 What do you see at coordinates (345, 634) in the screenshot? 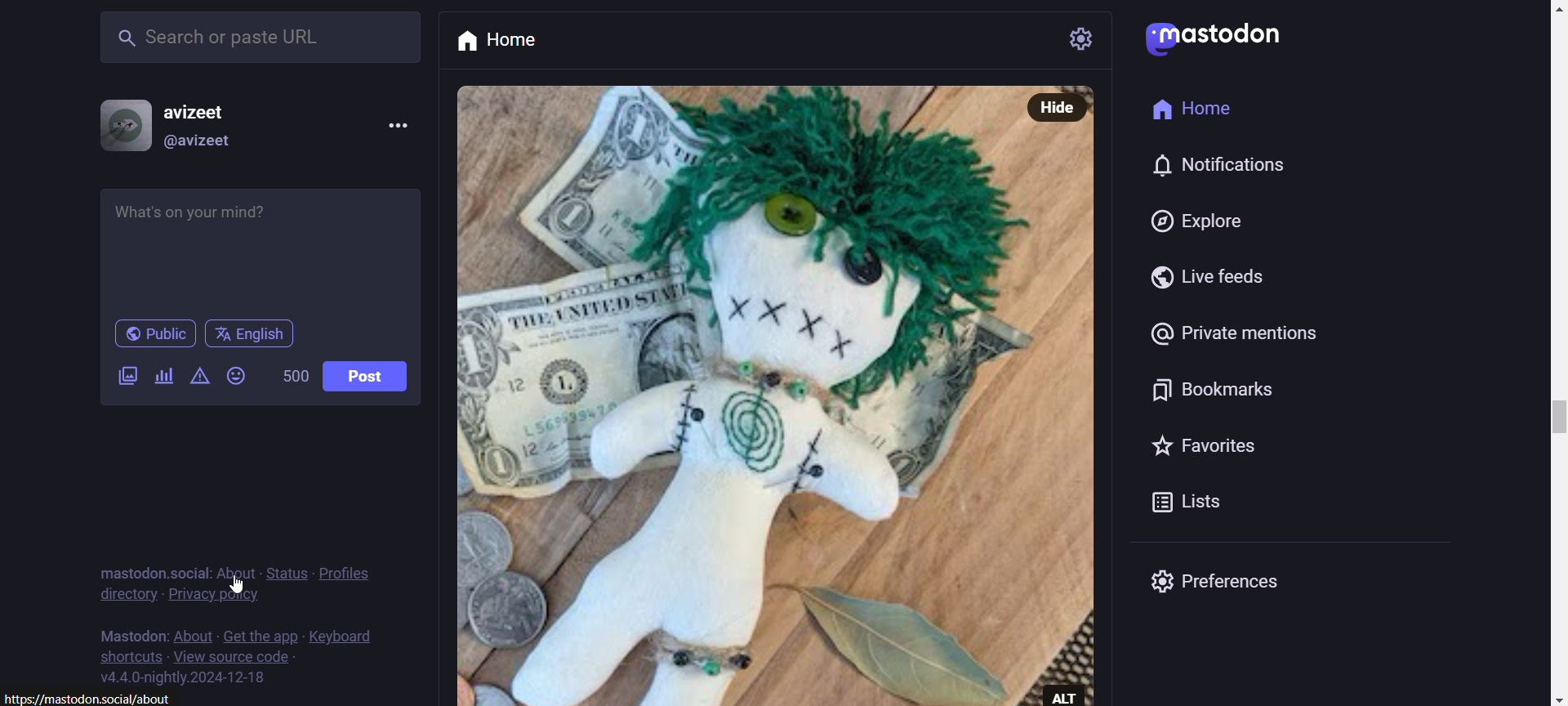
I see `keyboard` at bounding box center [345, 634].